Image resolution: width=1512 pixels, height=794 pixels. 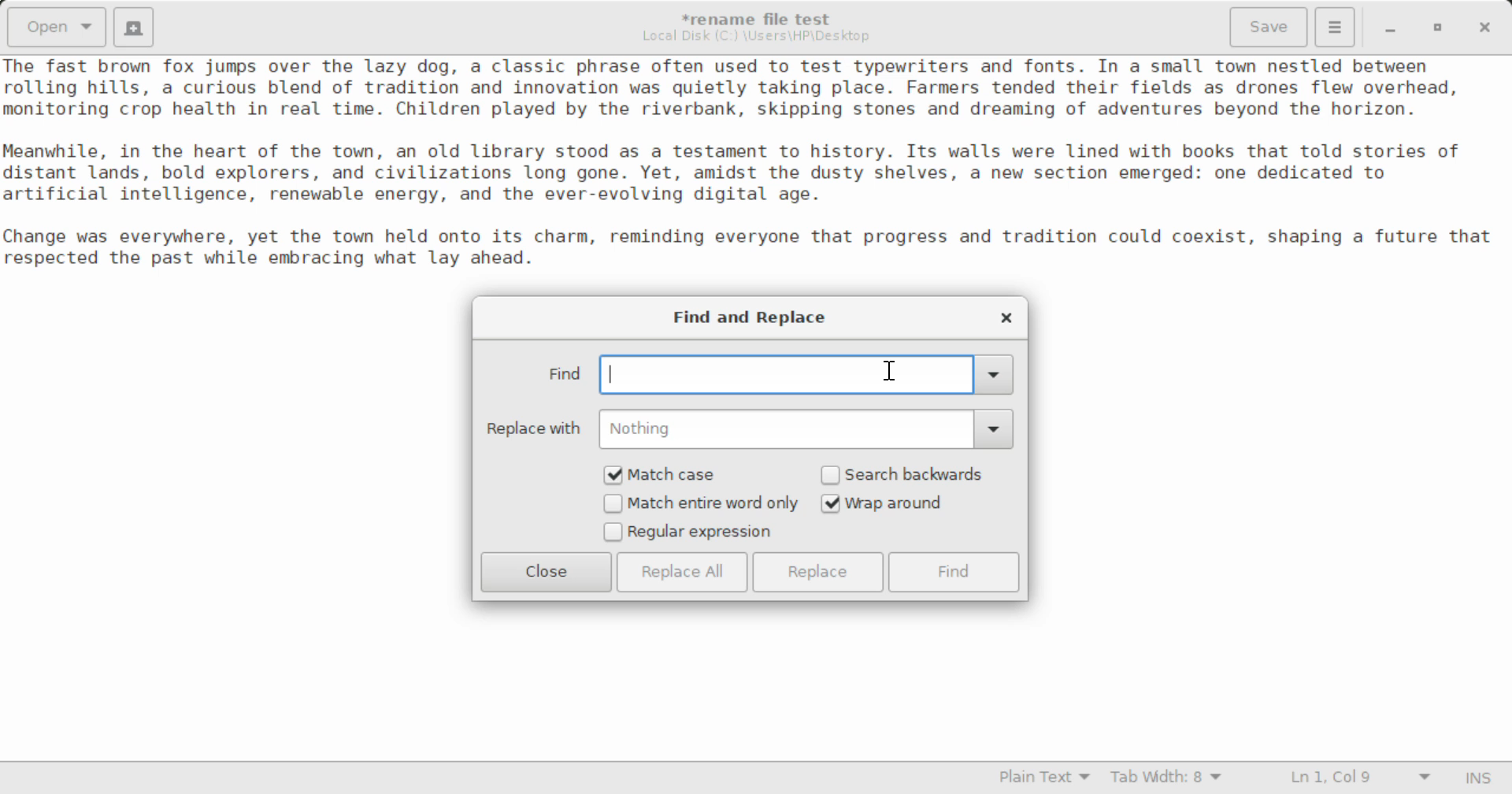 I want to click on *rename file test, so click(x=766, y=19).